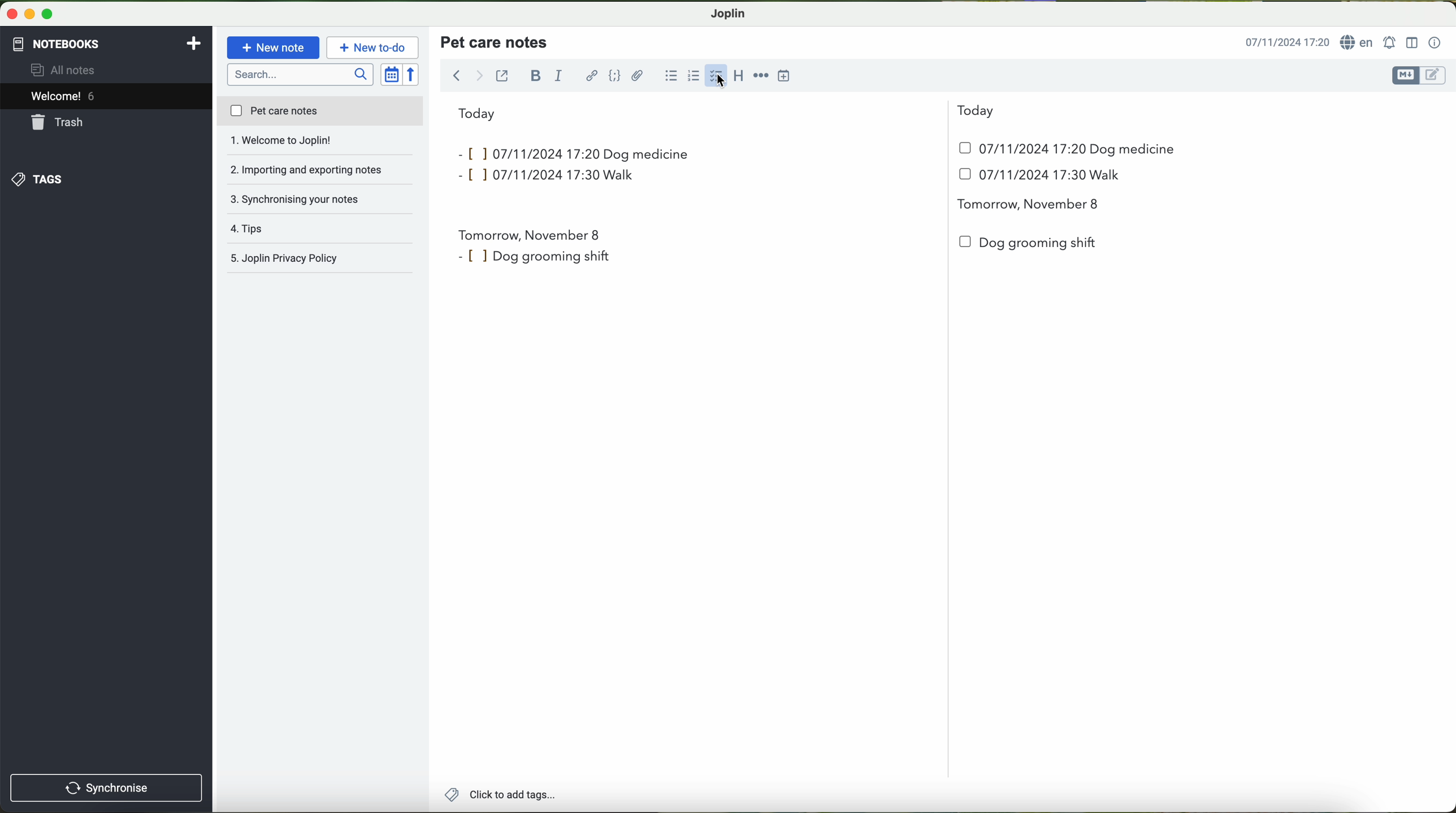 The image size is (1456, 813). What do you see at coordinates (726, 112) in the screenshot?
I see `today` at bounding box center [726, 112].